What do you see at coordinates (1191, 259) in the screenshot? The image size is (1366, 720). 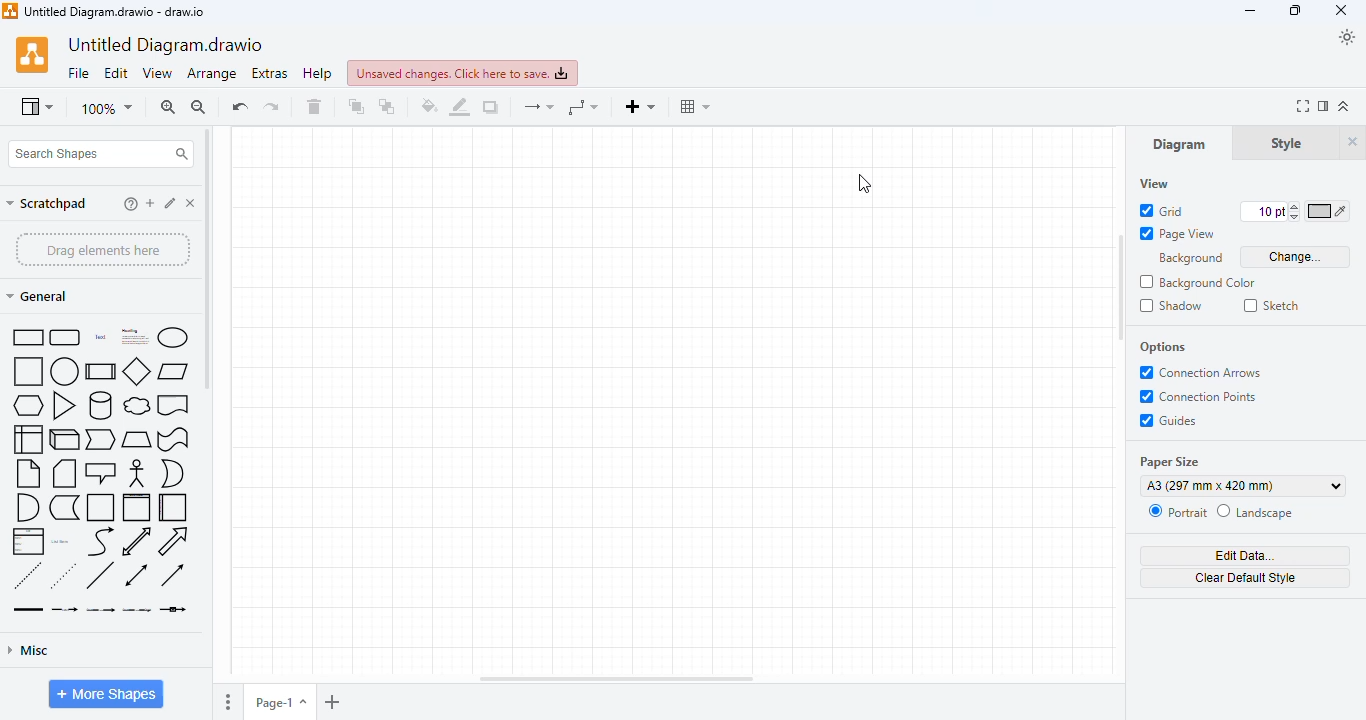 I see `background` at bounding box center [1191, 259].